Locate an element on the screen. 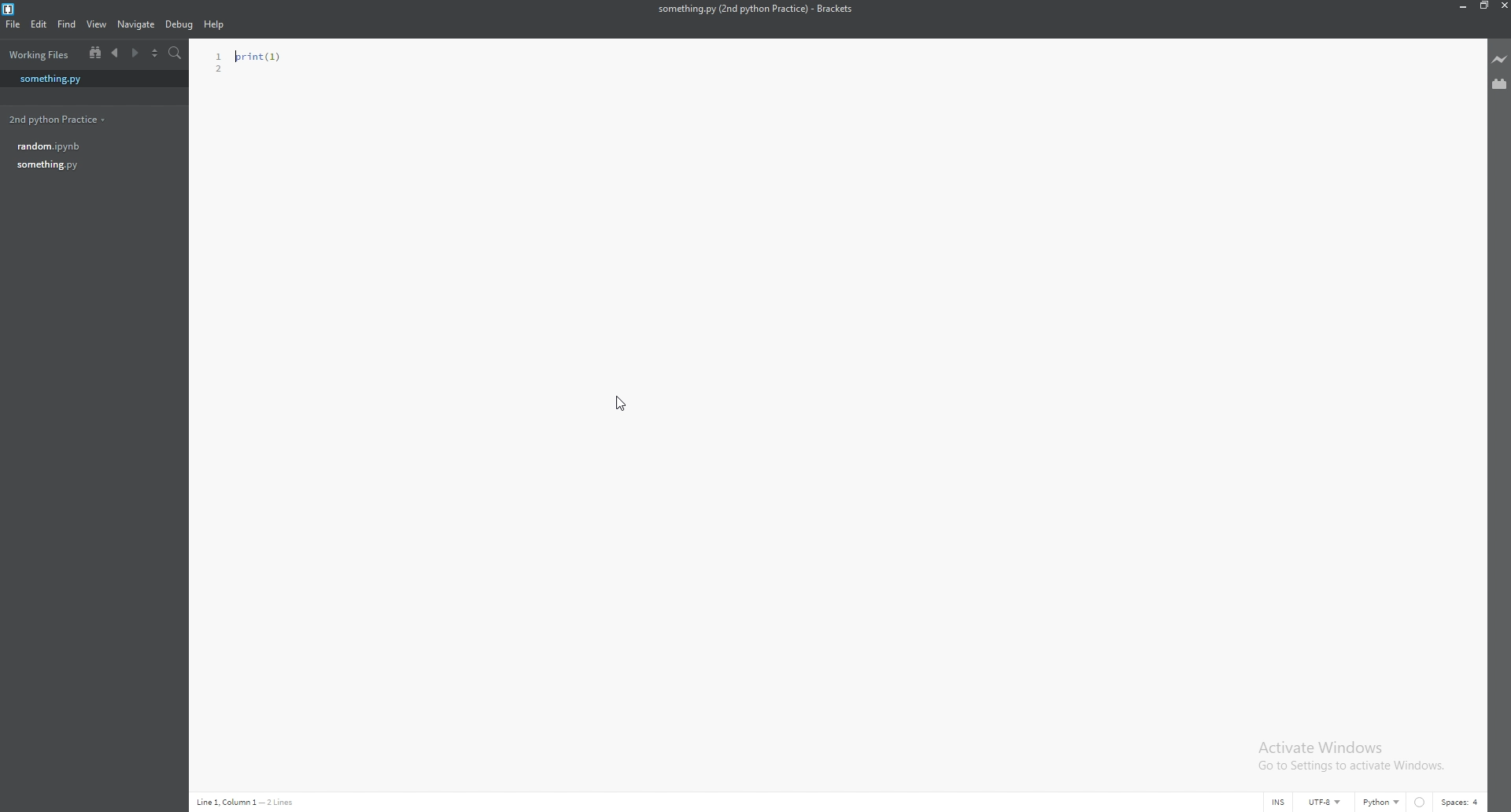  help is located at coordinates (216, 24).